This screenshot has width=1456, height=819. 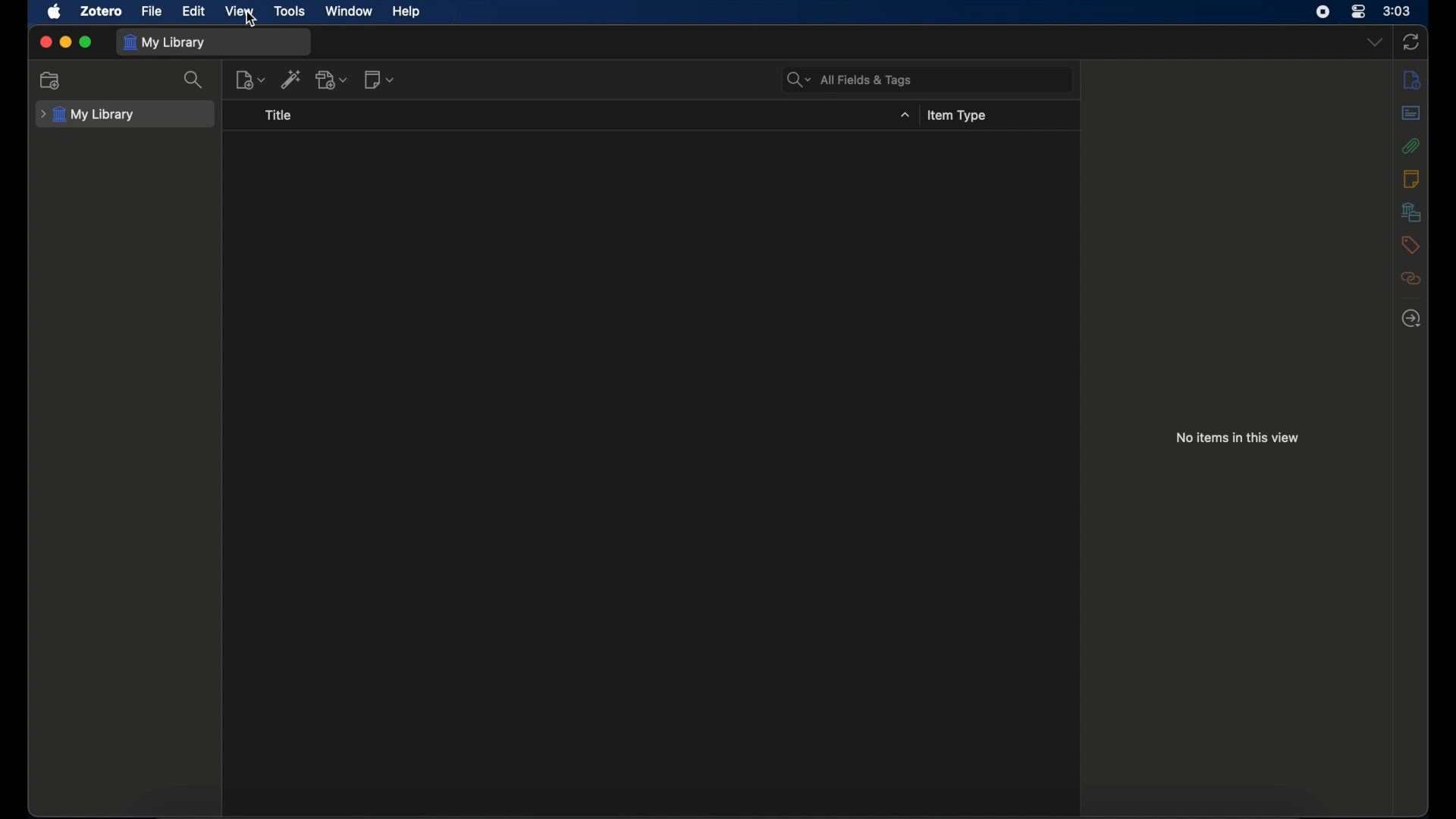 I want to click on attachments, so click(x=1411, y=146).